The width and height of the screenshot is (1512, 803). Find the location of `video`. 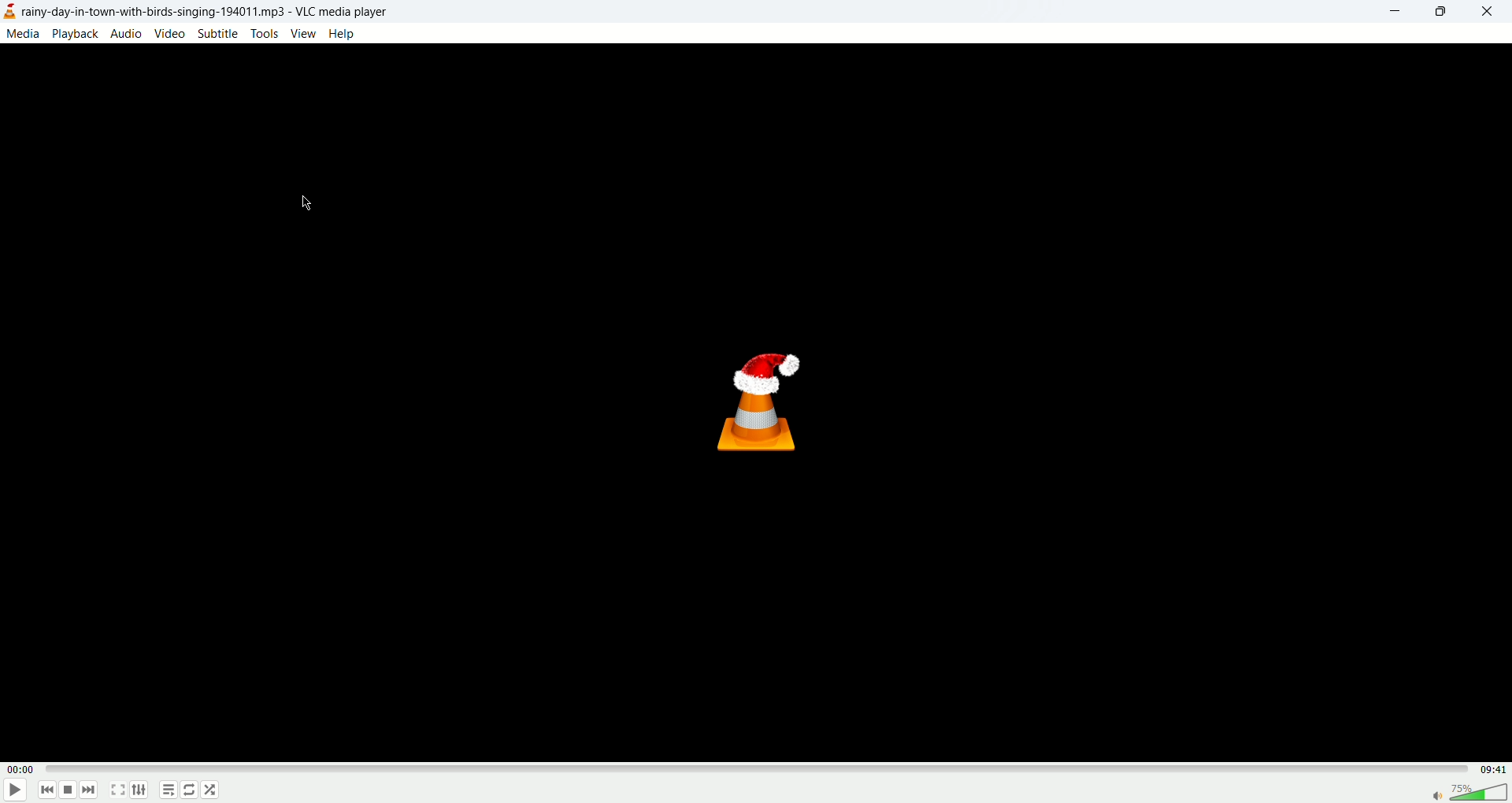

video is located at coordinates (172, 34).